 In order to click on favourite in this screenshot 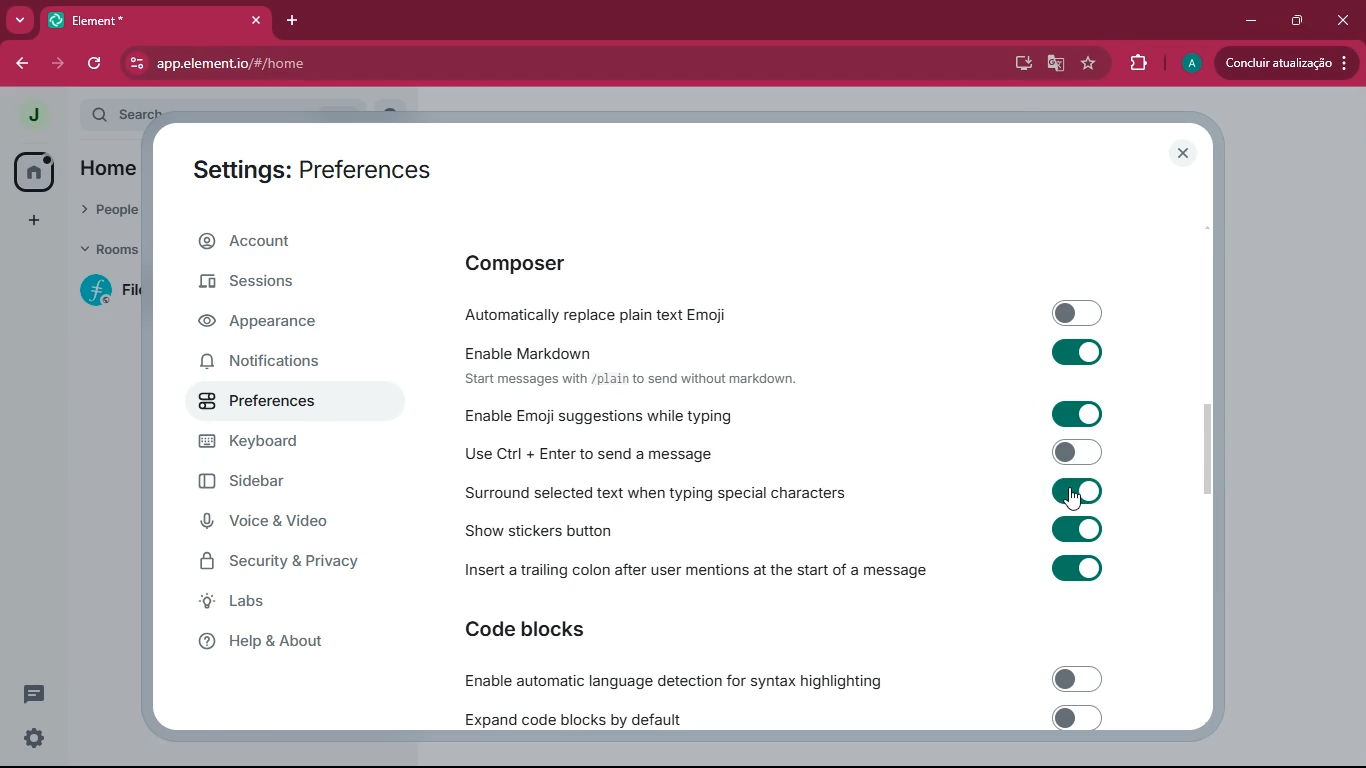, I will do `click(1093, 66)`.